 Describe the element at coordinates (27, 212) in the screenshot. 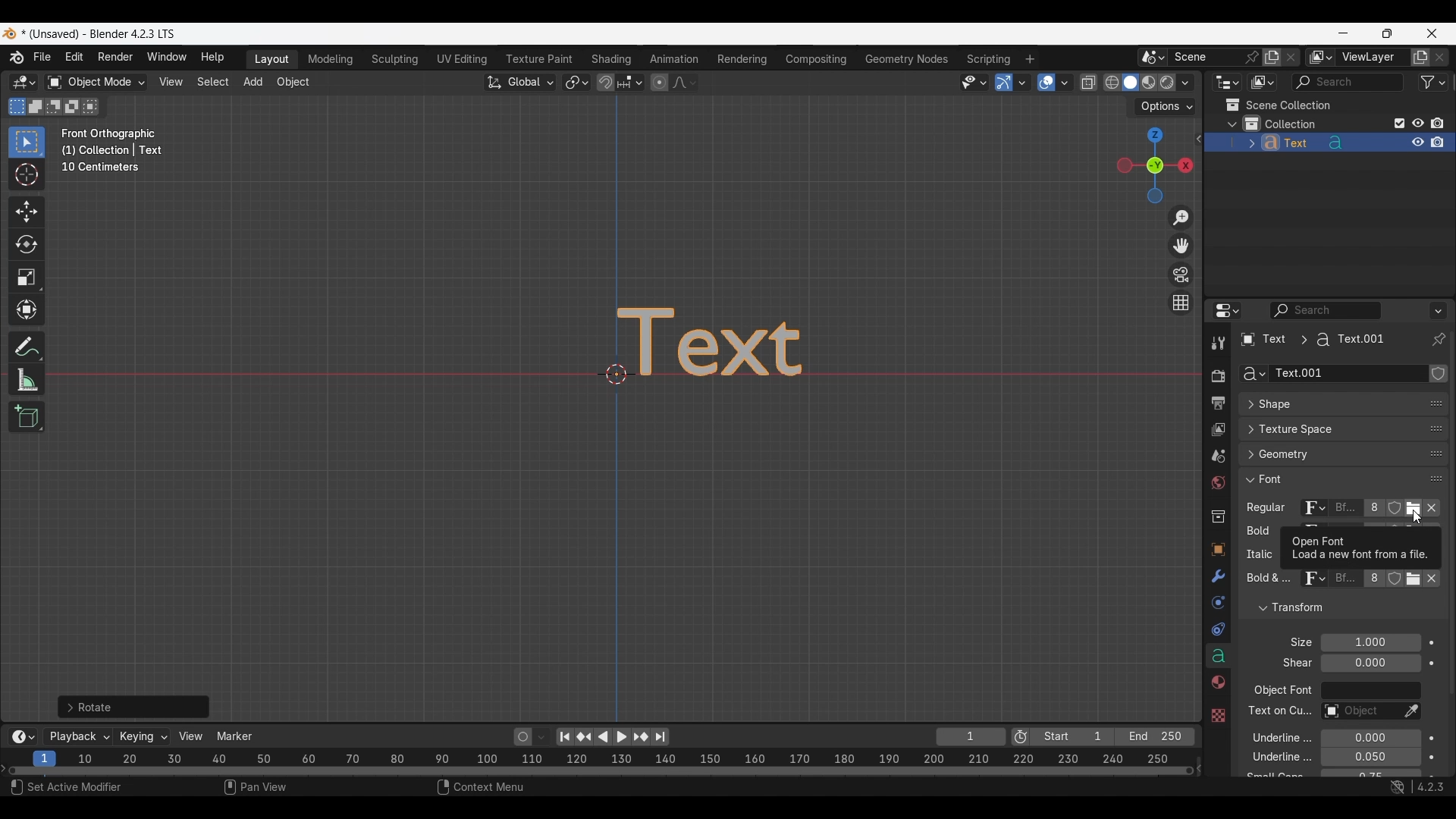

I see `Move` at that location.